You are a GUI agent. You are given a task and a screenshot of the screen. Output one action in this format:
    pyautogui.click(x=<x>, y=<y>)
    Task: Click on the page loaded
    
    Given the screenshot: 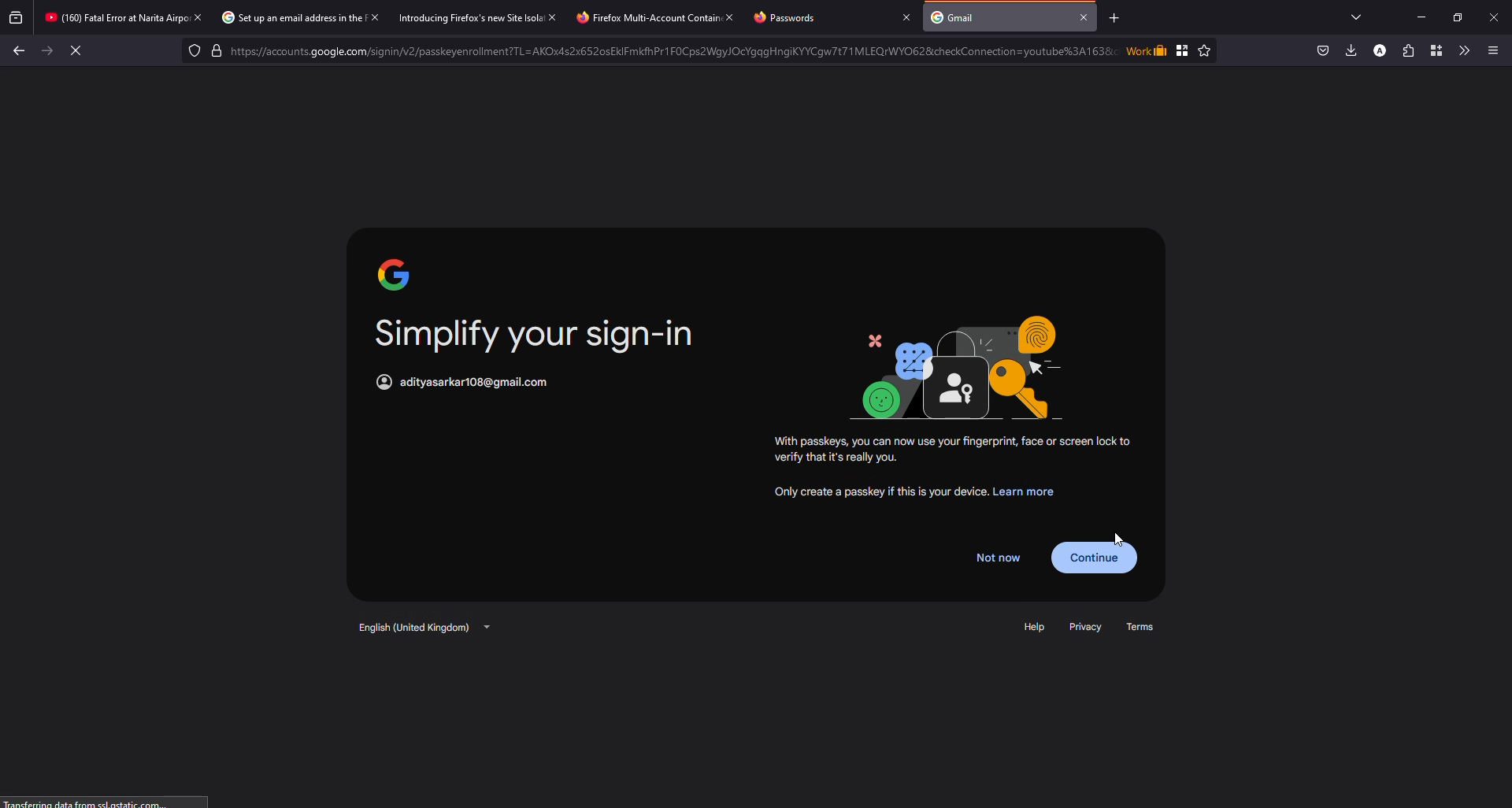 What is the action you would take?
    pyautogui.click(x=97, y=802)
    